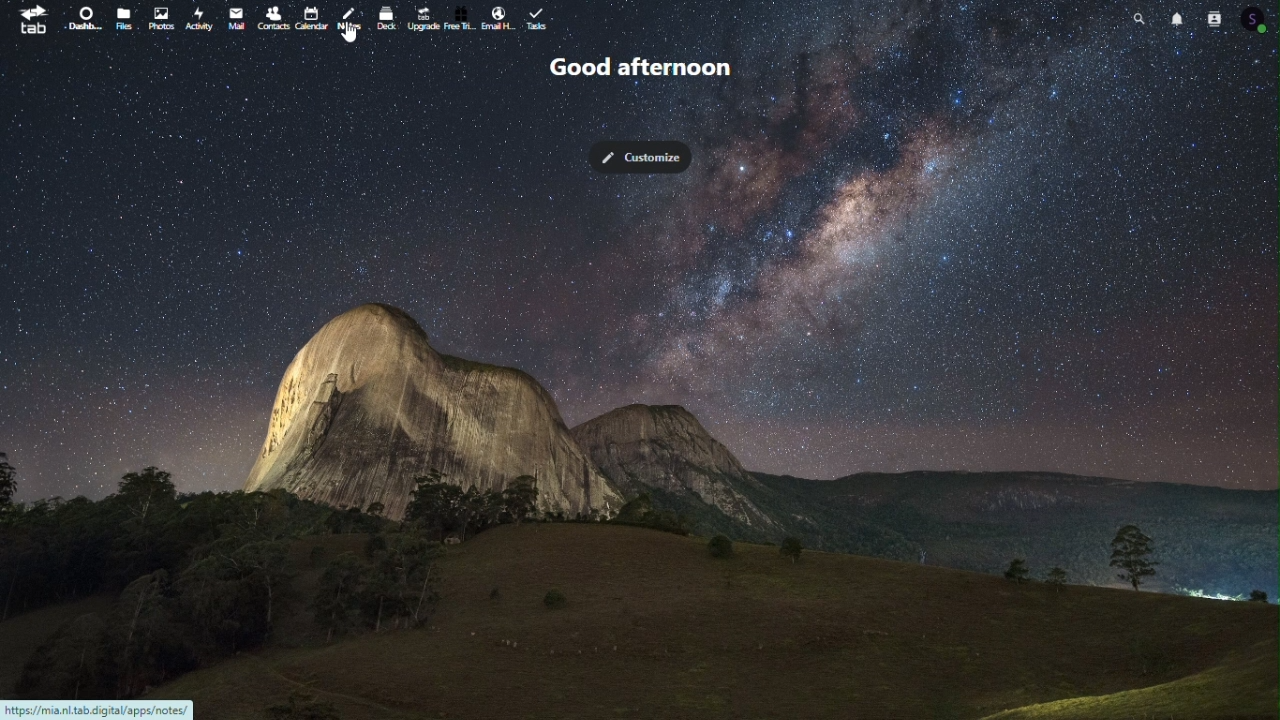  What do you see at coordinates (105, 706) in the screenshot?
I see `URL` at bounding box center [105, 706].